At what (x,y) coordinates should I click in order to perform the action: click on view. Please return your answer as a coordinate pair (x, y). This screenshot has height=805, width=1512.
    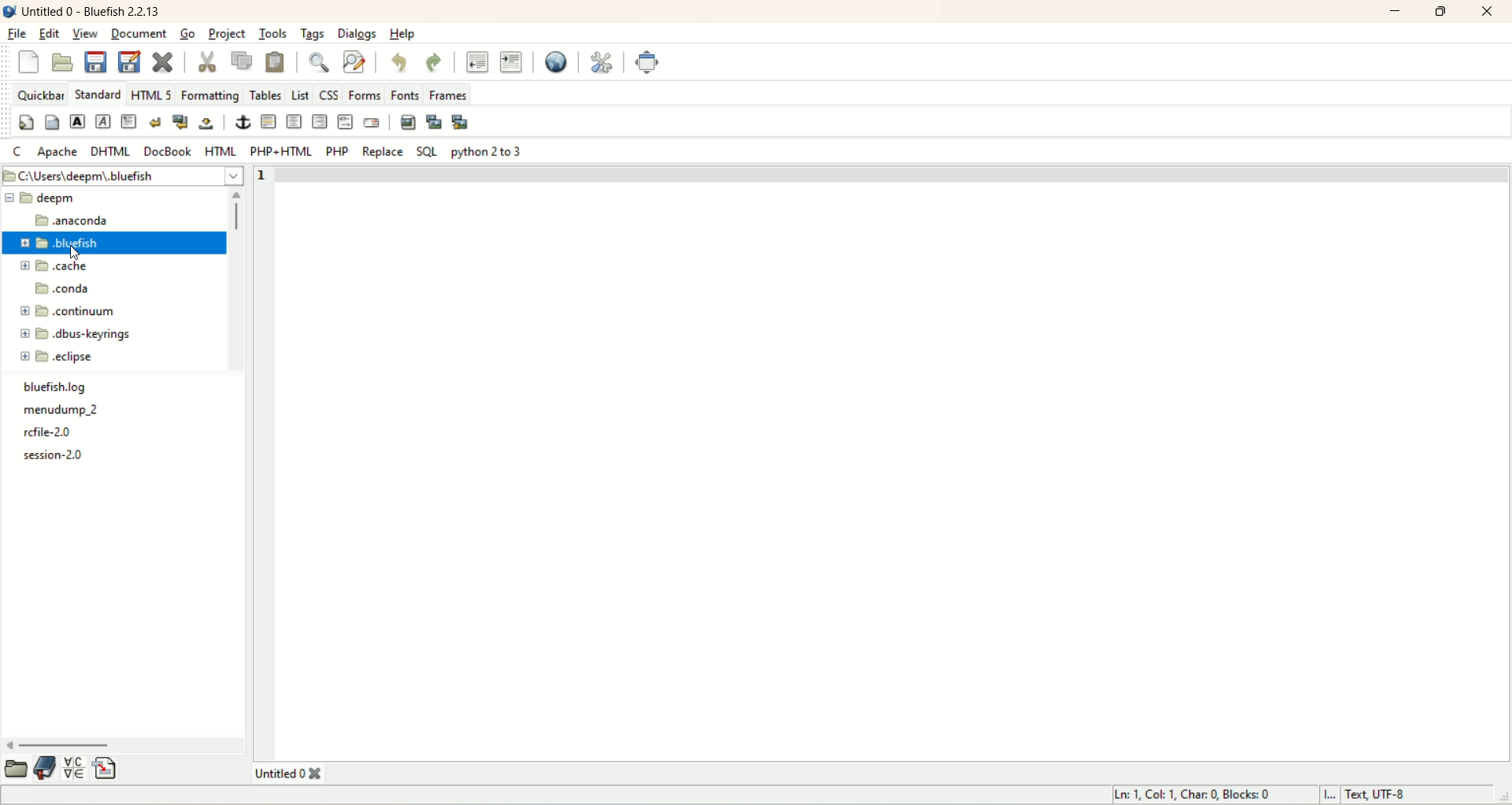
    Looking at the image, I should click on (87, 34).